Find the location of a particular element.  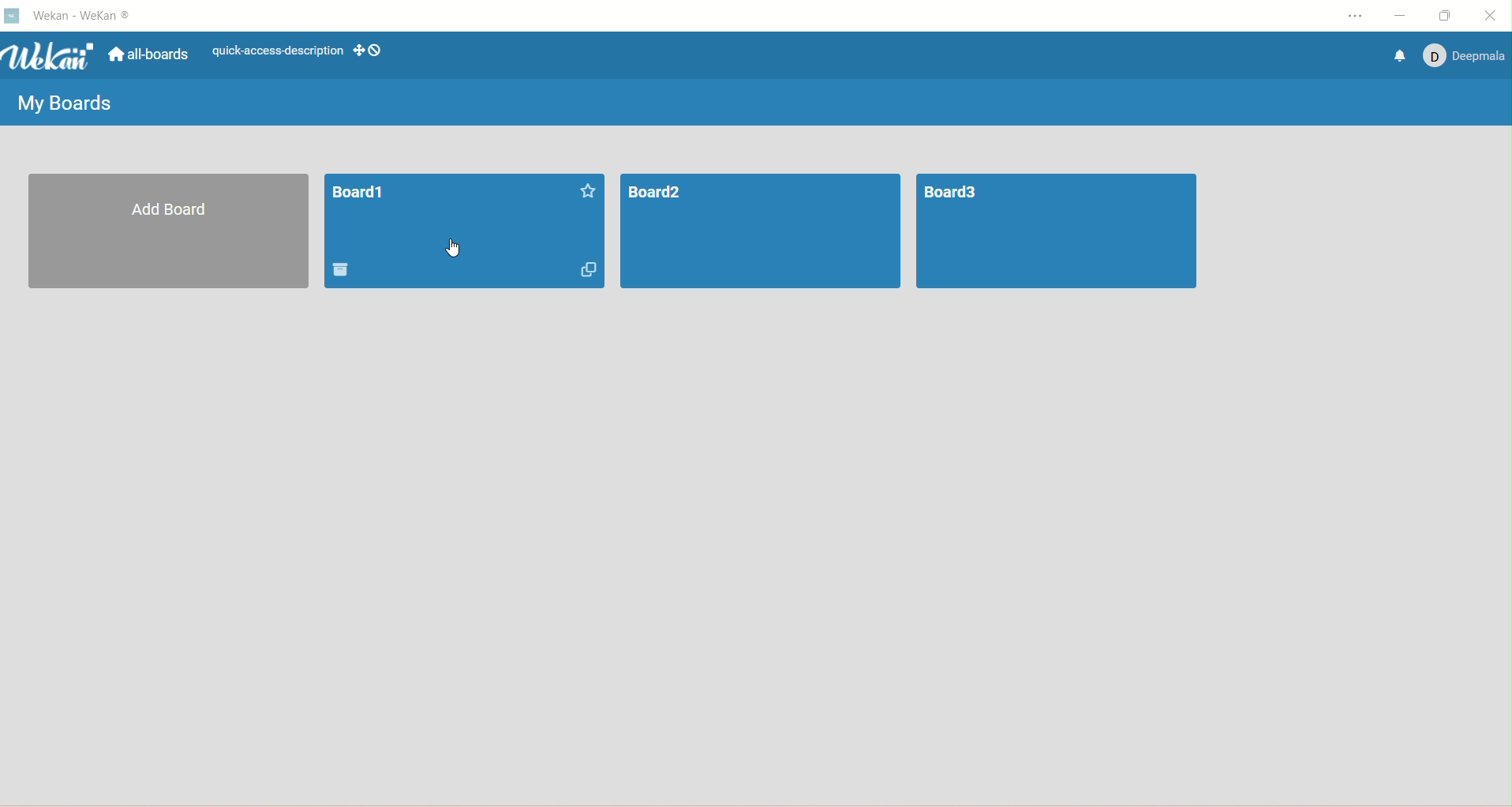

options is located at coordinates (1349, 18).